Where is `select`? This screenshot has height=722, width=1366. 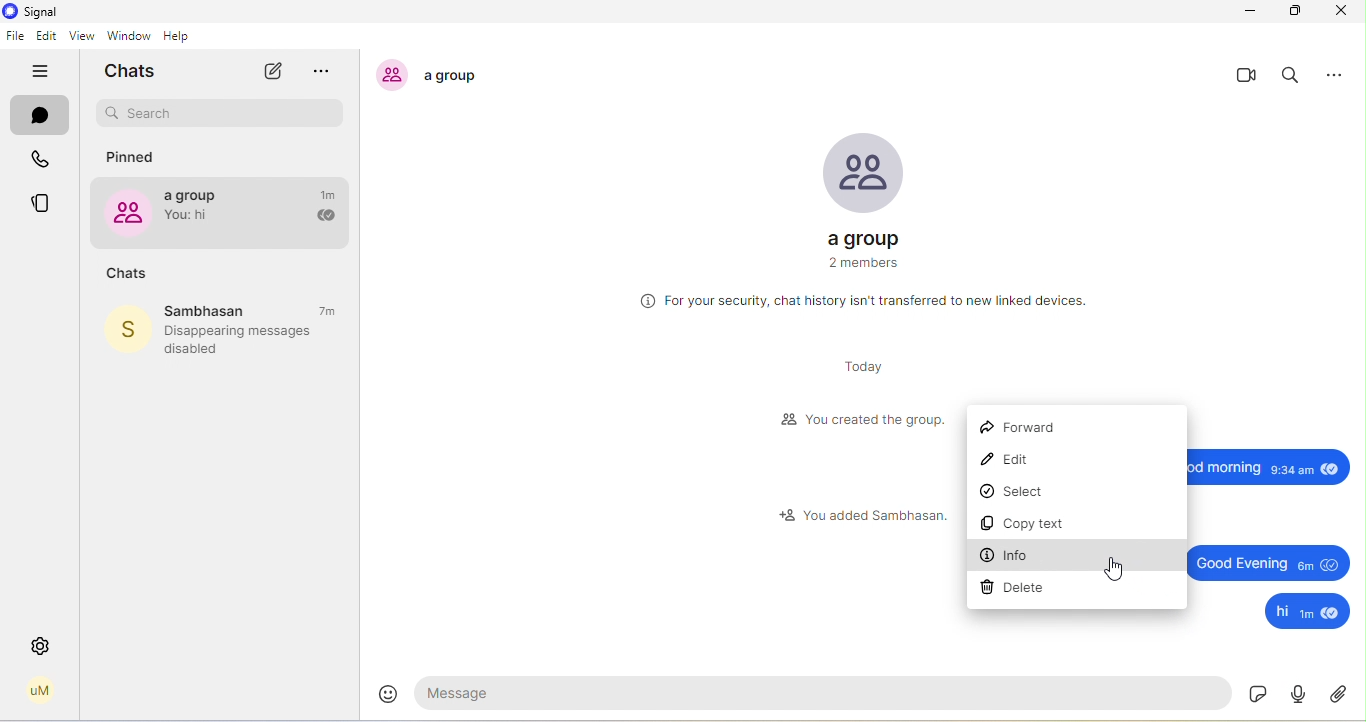 select is located at coordinates (1023, 493).